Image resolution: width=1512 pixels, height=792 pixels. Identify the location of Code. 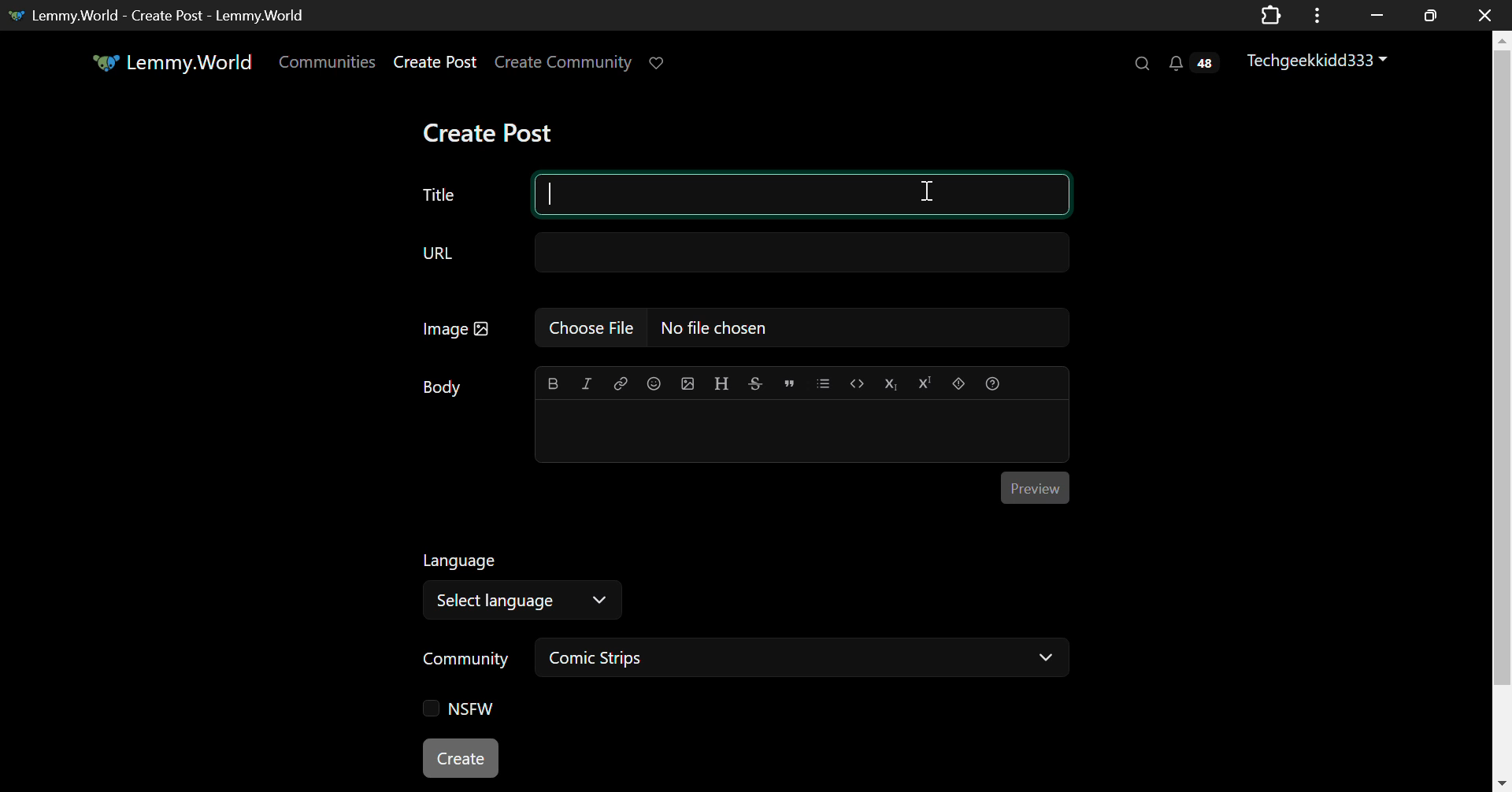
(857, 383).